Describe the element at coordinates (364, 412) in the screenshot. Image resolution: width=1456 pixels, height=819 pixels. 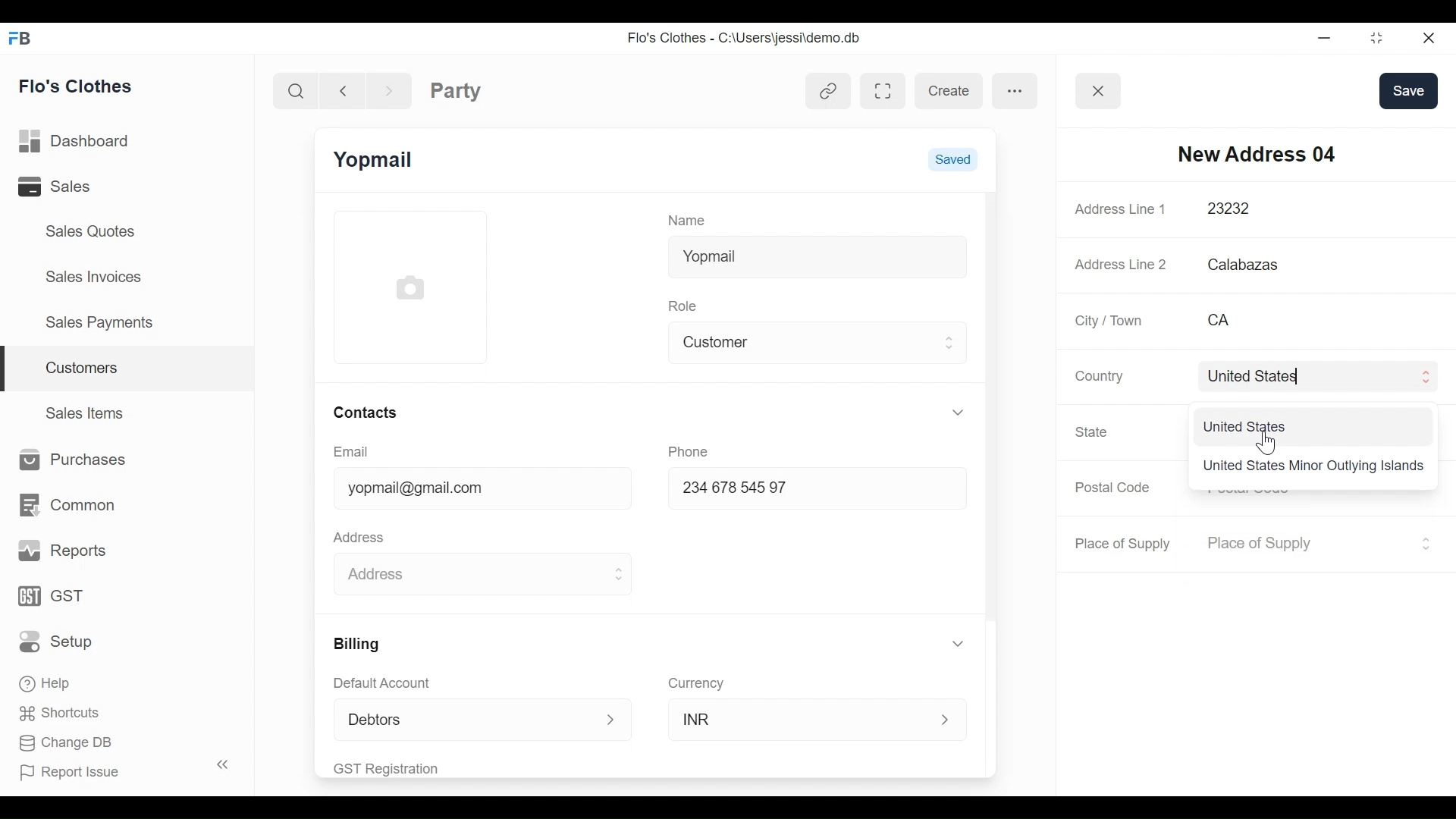
I see `Contacts` at that location.